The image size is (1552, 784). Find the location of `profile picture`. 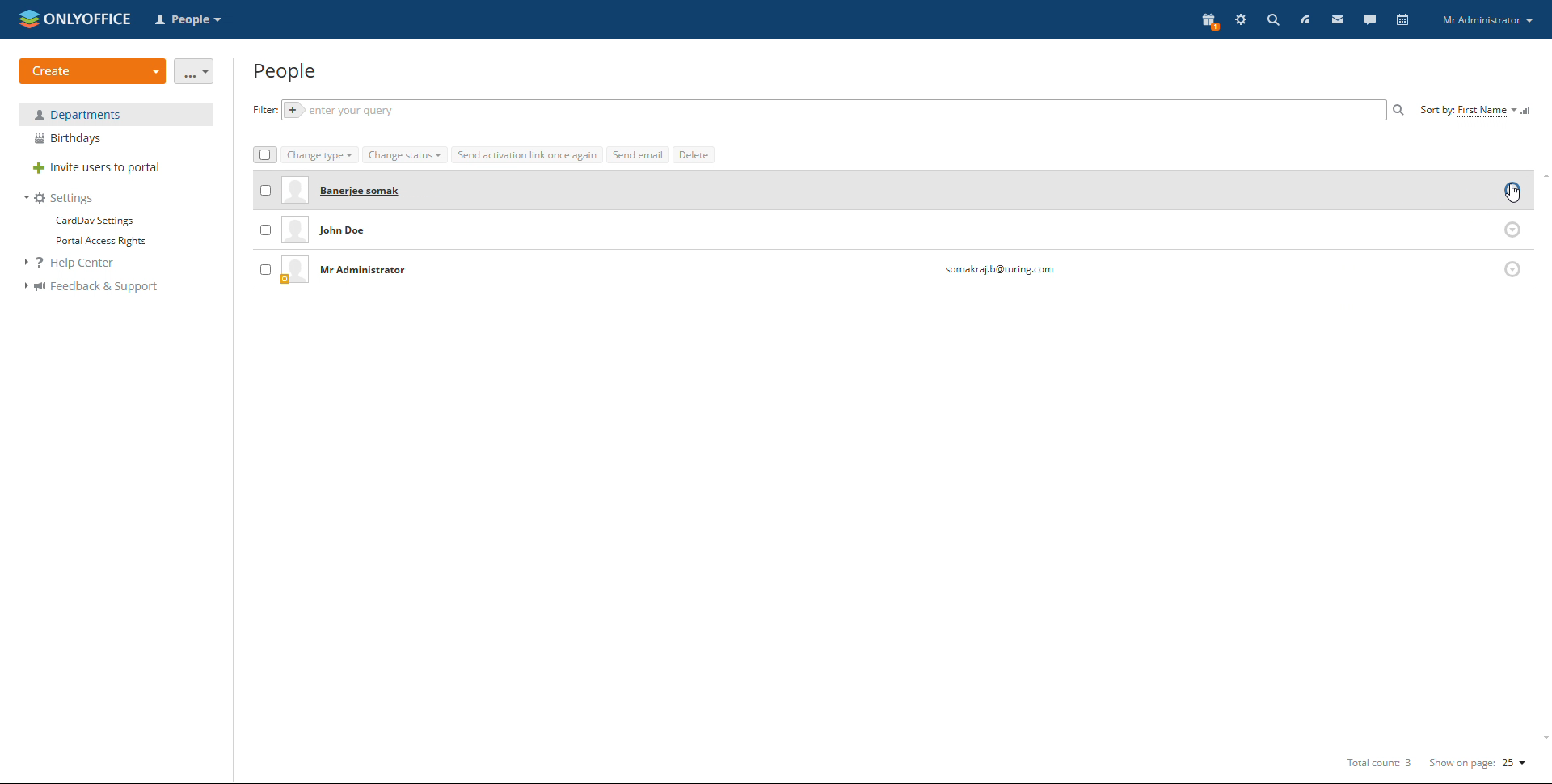

profile picture is located at coordinates (293, 192).